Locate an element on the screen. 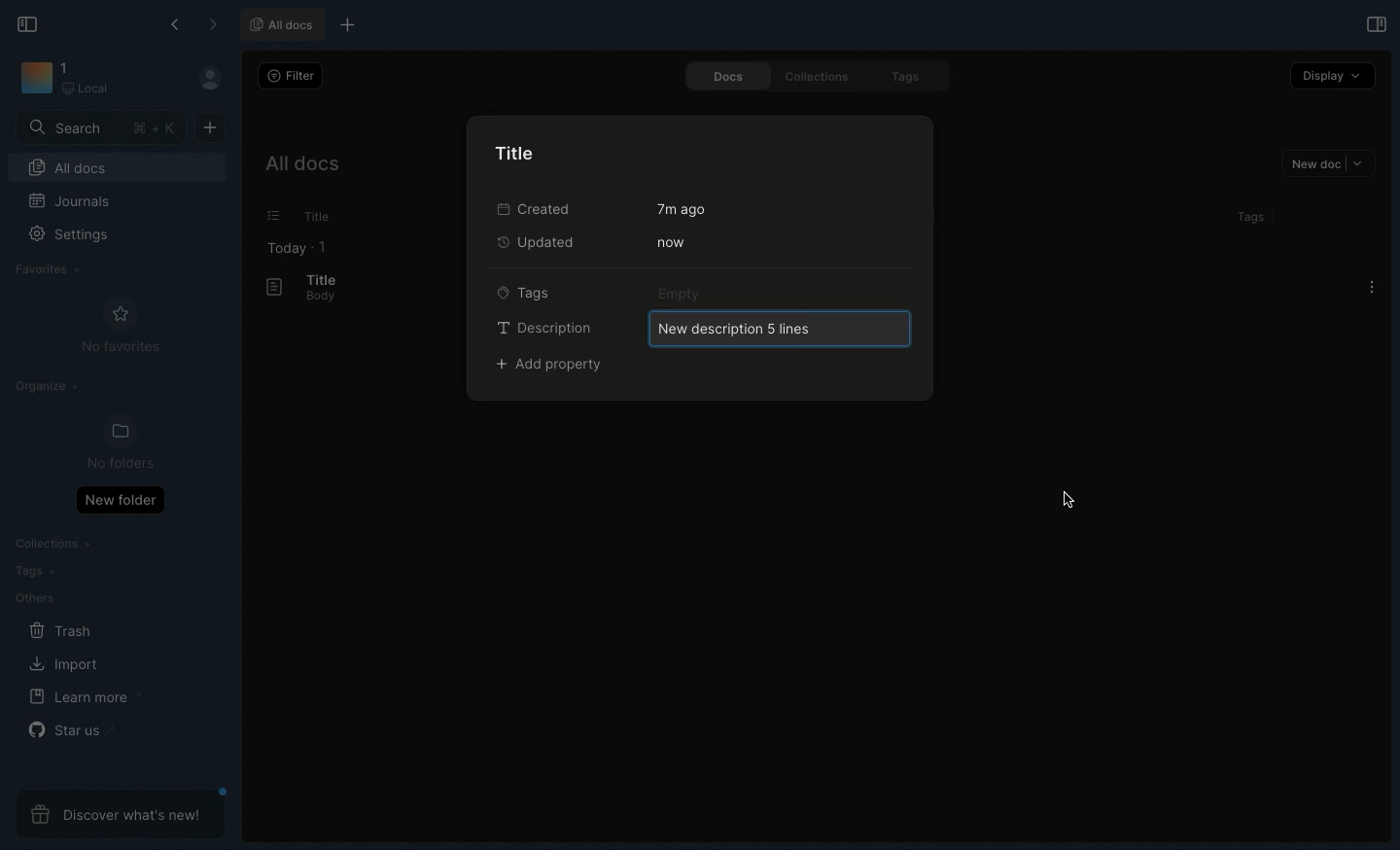 The image size is (1400, 850). Search is located at coordinates (102, 126).